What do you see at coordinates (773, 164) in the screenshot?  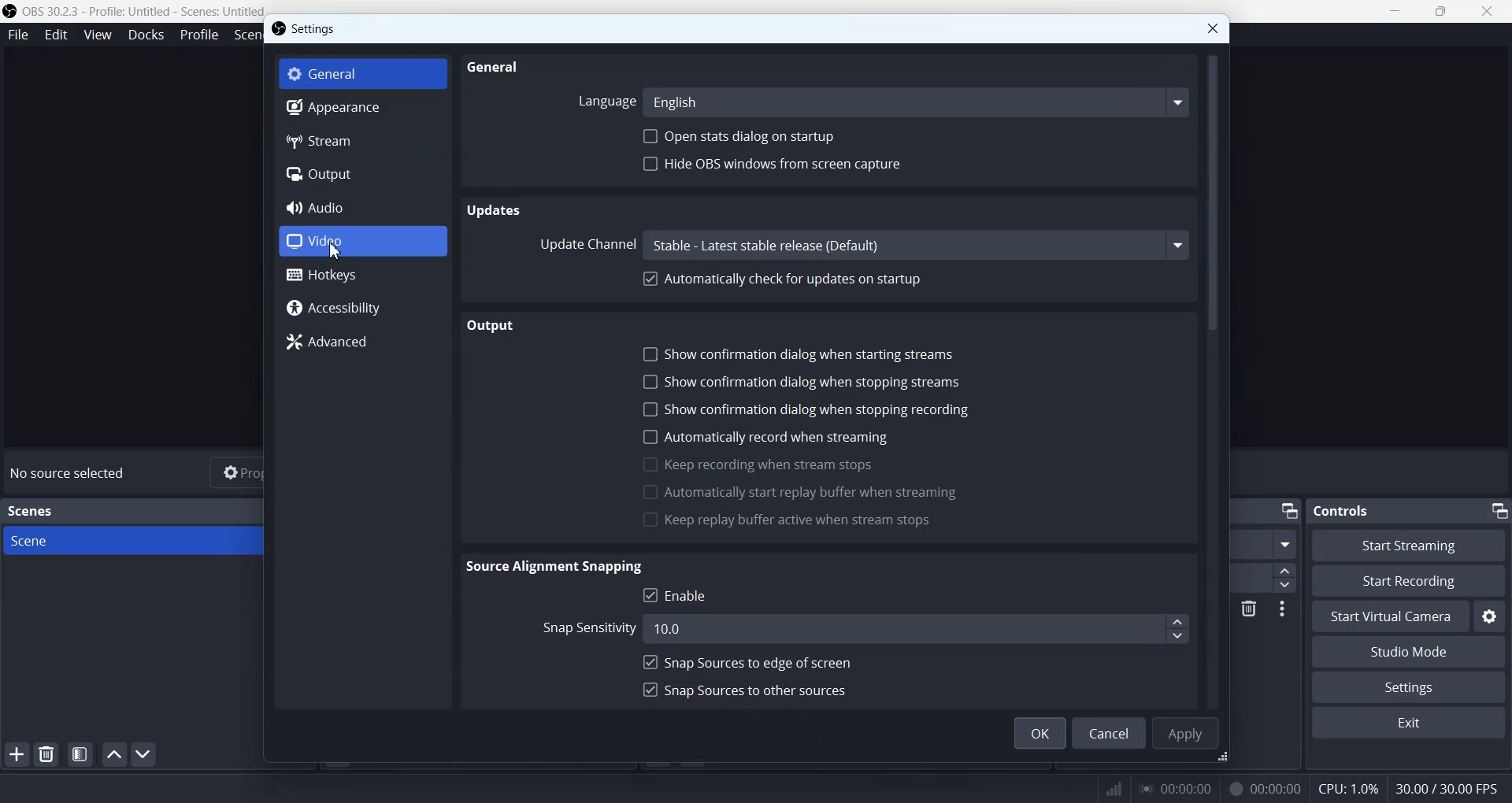 I see `Hide OBS Windows From Screen Capture` at bounding box center [773, 164].